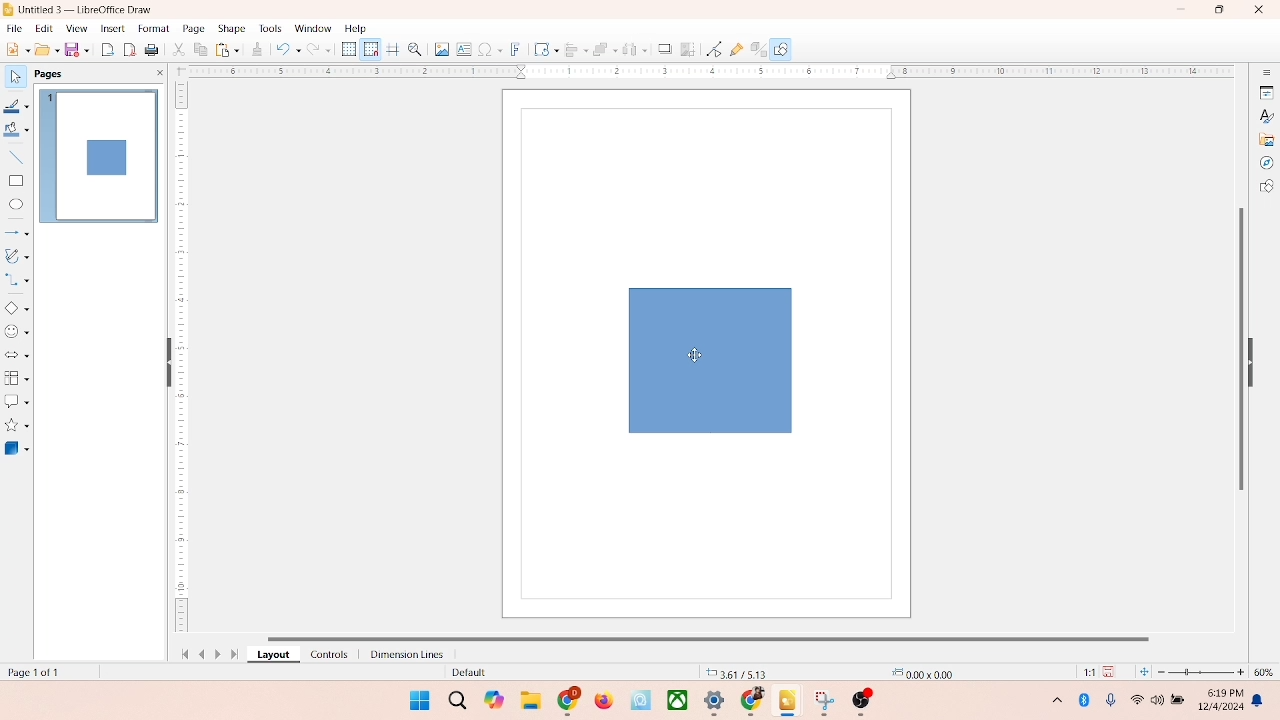 The width and height of the screenshot is (1280, 720). I want to click on zoom percentage, so click(1267, 672).